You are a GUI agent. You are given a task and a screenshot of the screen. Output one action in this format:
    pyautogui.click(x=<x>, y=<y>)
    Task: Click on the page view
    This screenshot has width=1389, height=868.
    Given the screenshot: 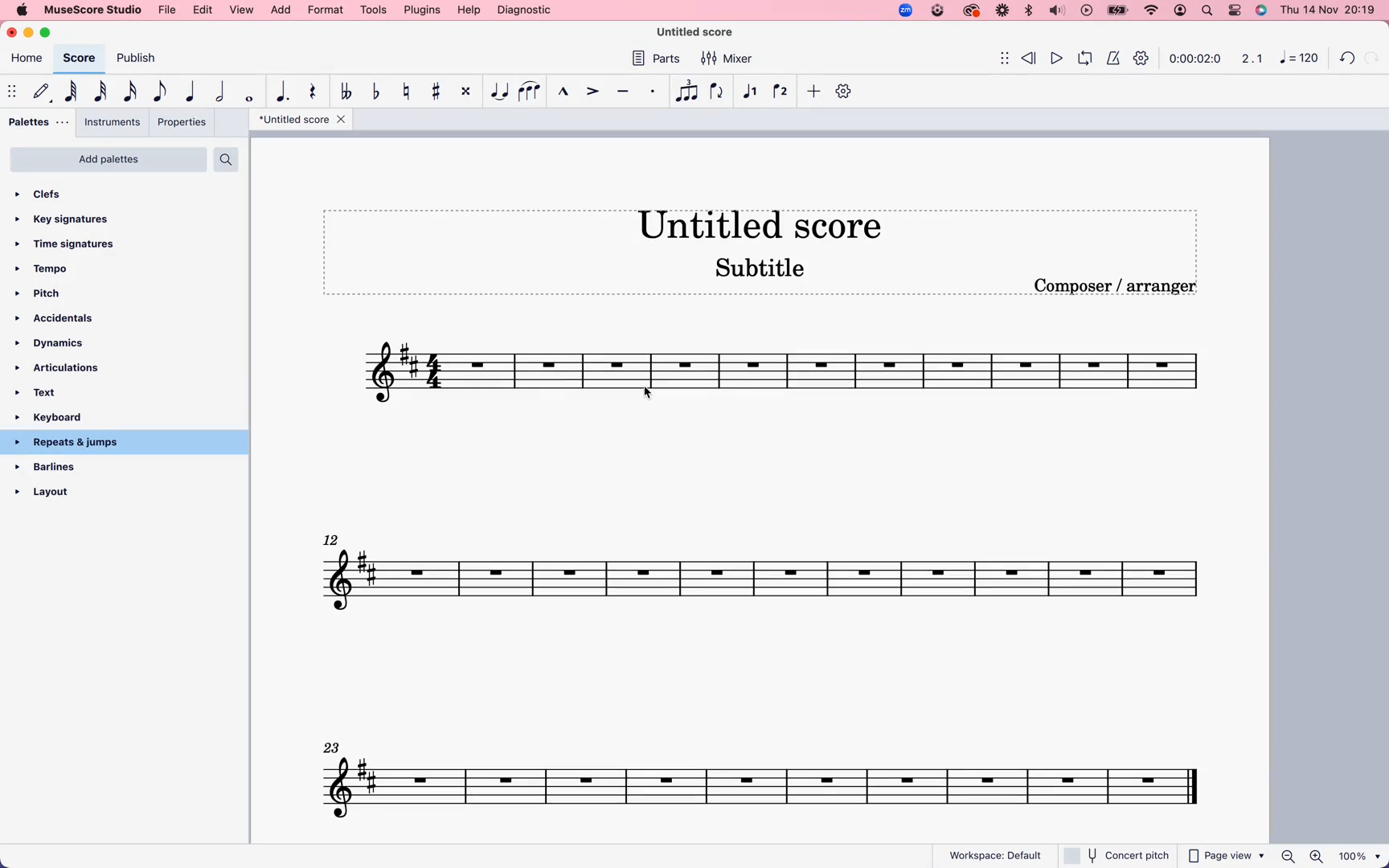 What is the action you would take?
    pyautogui.click(x=1227, y=856)
    